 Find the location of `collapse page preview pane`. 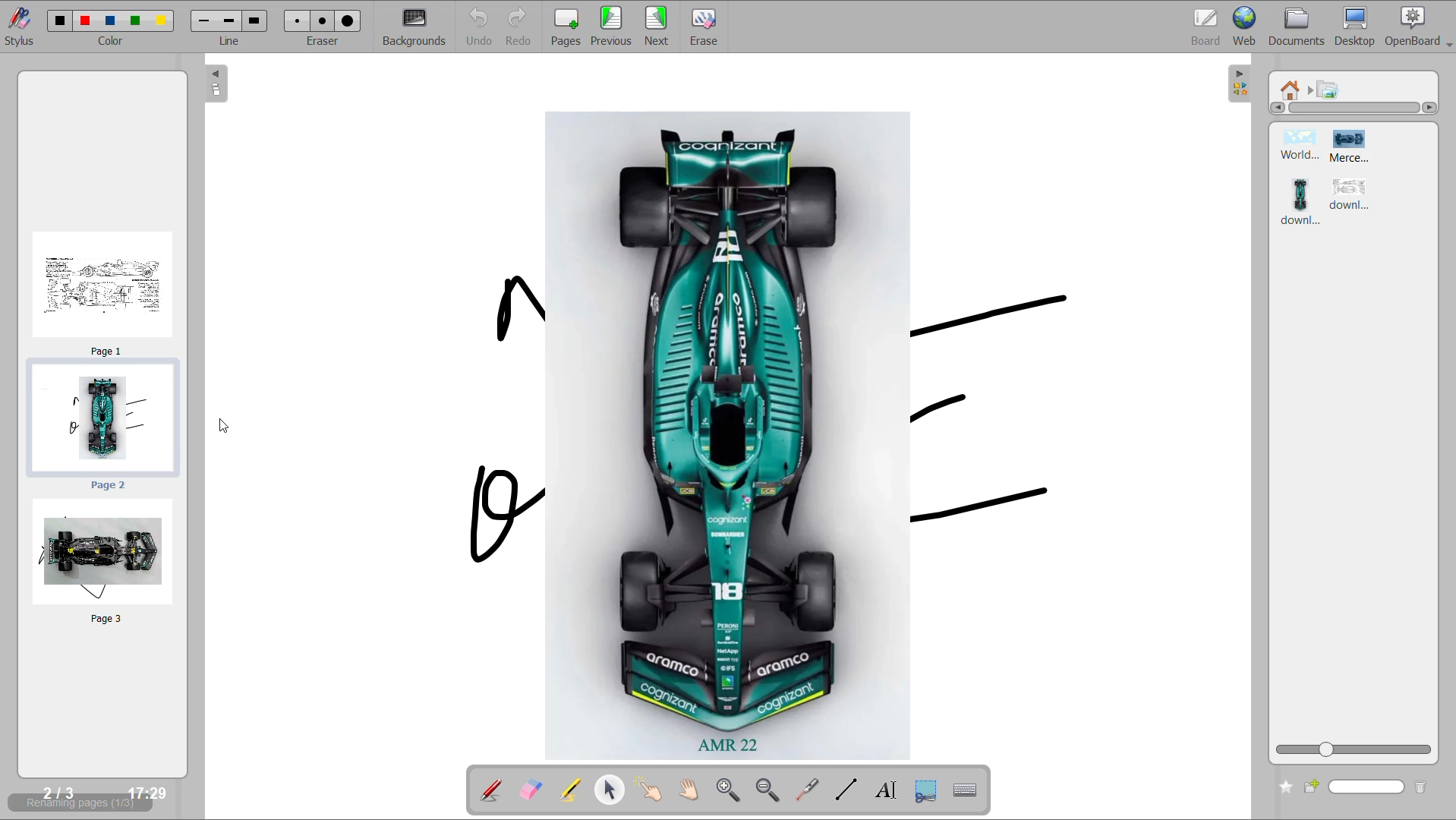

collapse page preview pane is located at coordinates (216, 85).